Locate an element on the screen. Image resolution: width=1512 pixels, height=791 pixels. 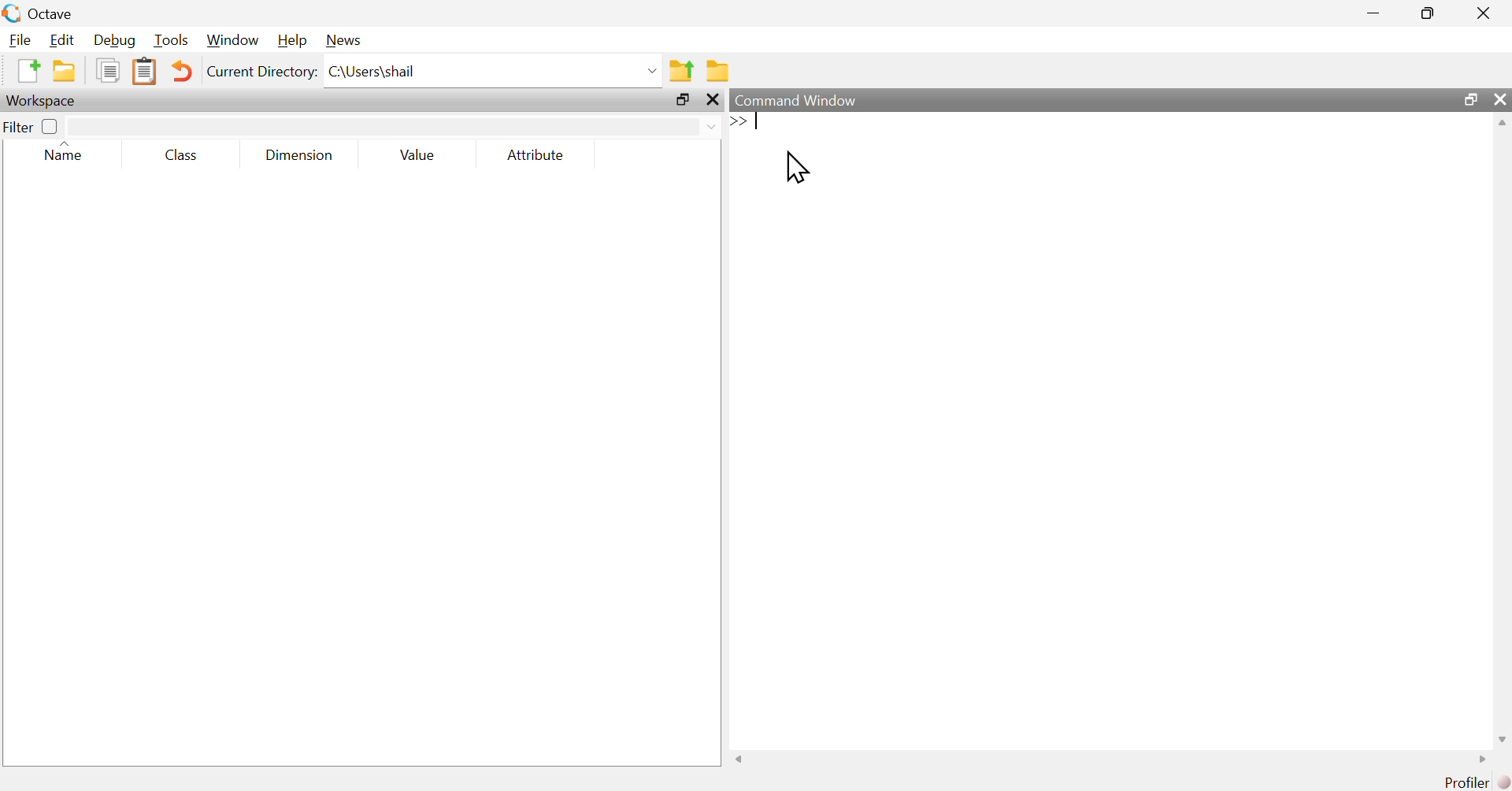
Scrollbar down is located at coordinates (1502, 737).